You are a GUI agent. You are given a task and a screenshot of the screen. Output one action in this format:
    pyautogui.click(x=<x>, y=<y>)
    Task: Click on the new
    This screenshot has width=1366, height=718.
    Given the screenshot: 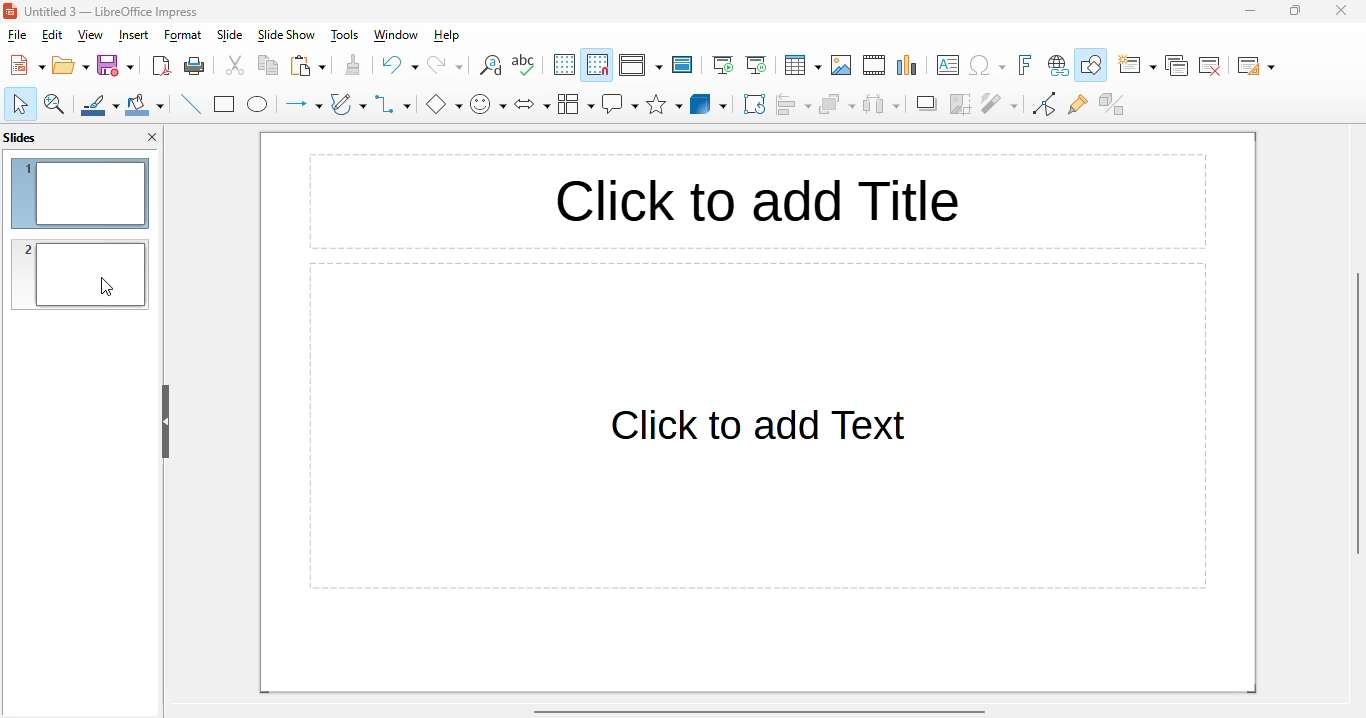 What is the action you would take?
    pyautogui.click(x=27, y=65)
    